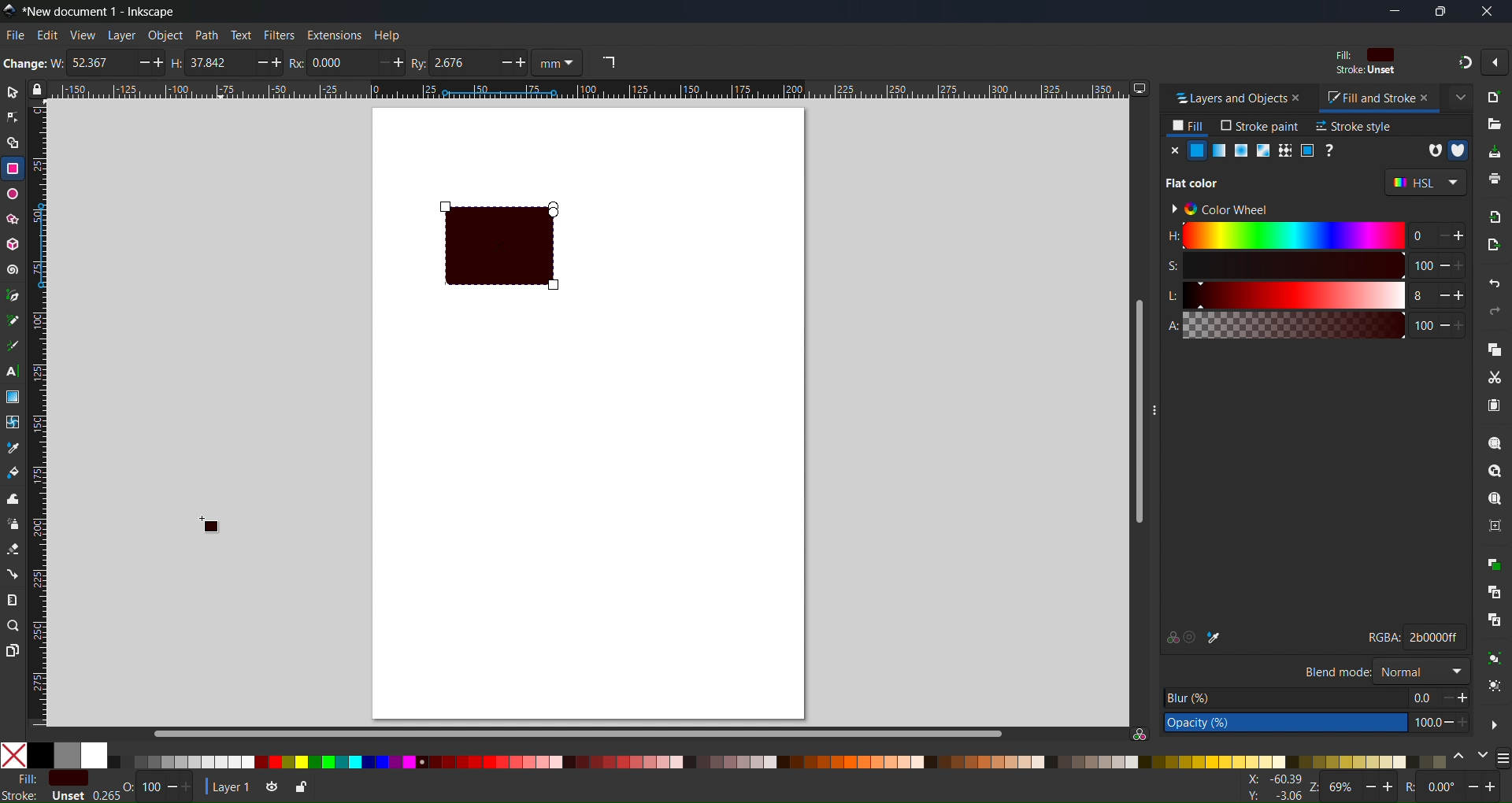 The image size is (1512, 803). What do you see at coordinates (1467, 723) in the screenshot?
I see `increase opacity` at bounding box center [1467, 723].